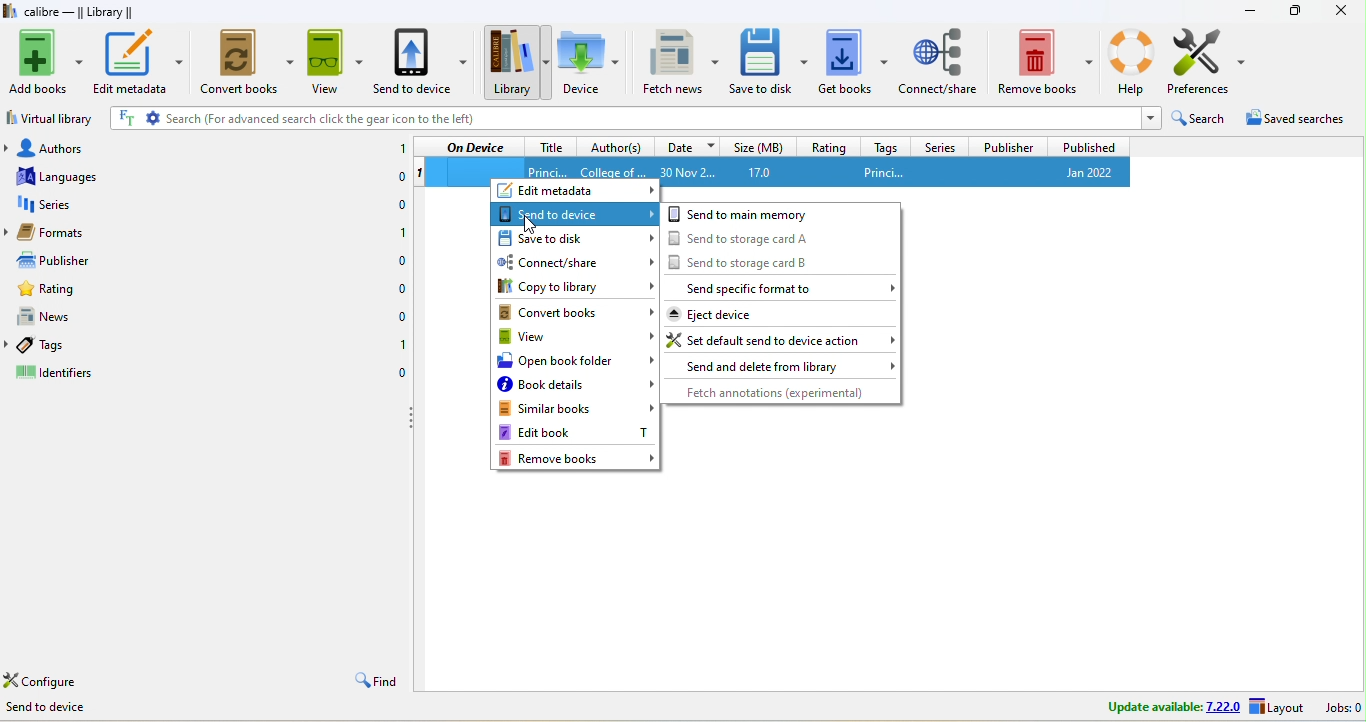 The height and width of the screenshot is (722, 1366). What do you see at coordinates (125, 118) in the screenshot?
I see `FT` at bounding box center [125, 118].